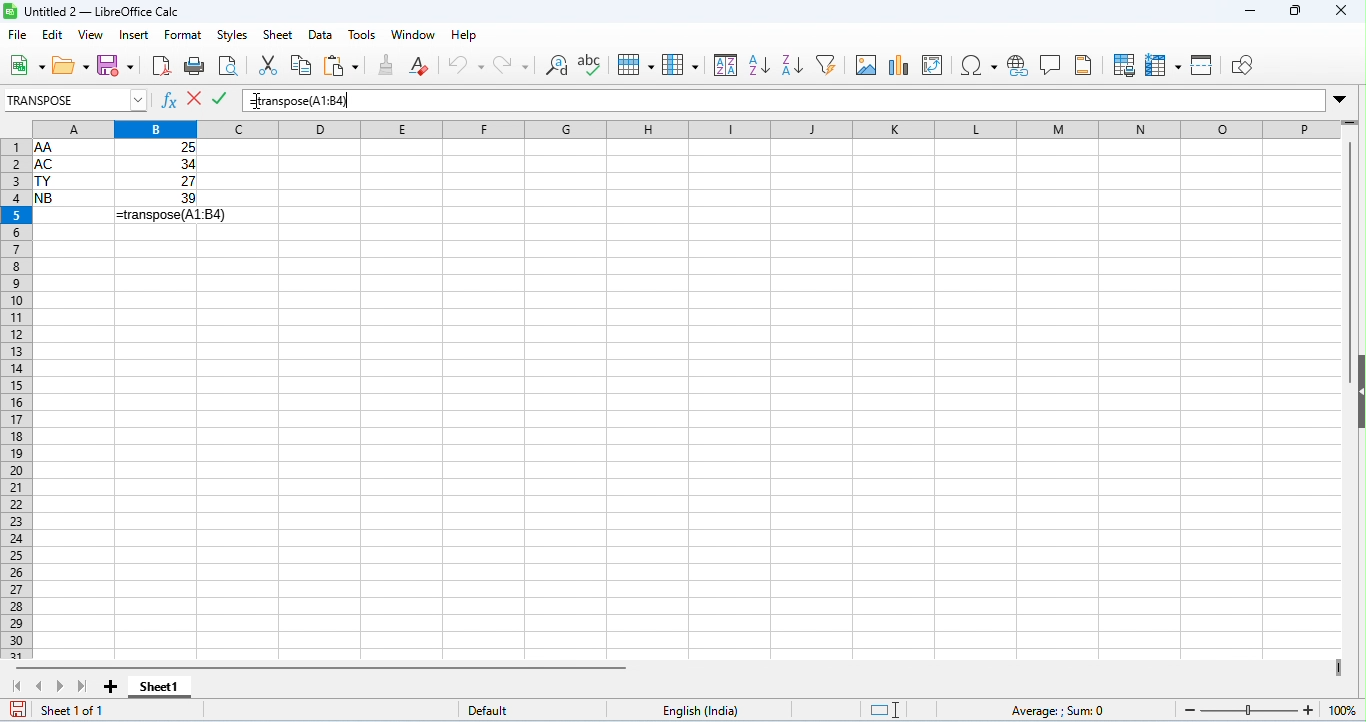 The image size is (1366, 722). I want to click on accept, so click(221, 97).